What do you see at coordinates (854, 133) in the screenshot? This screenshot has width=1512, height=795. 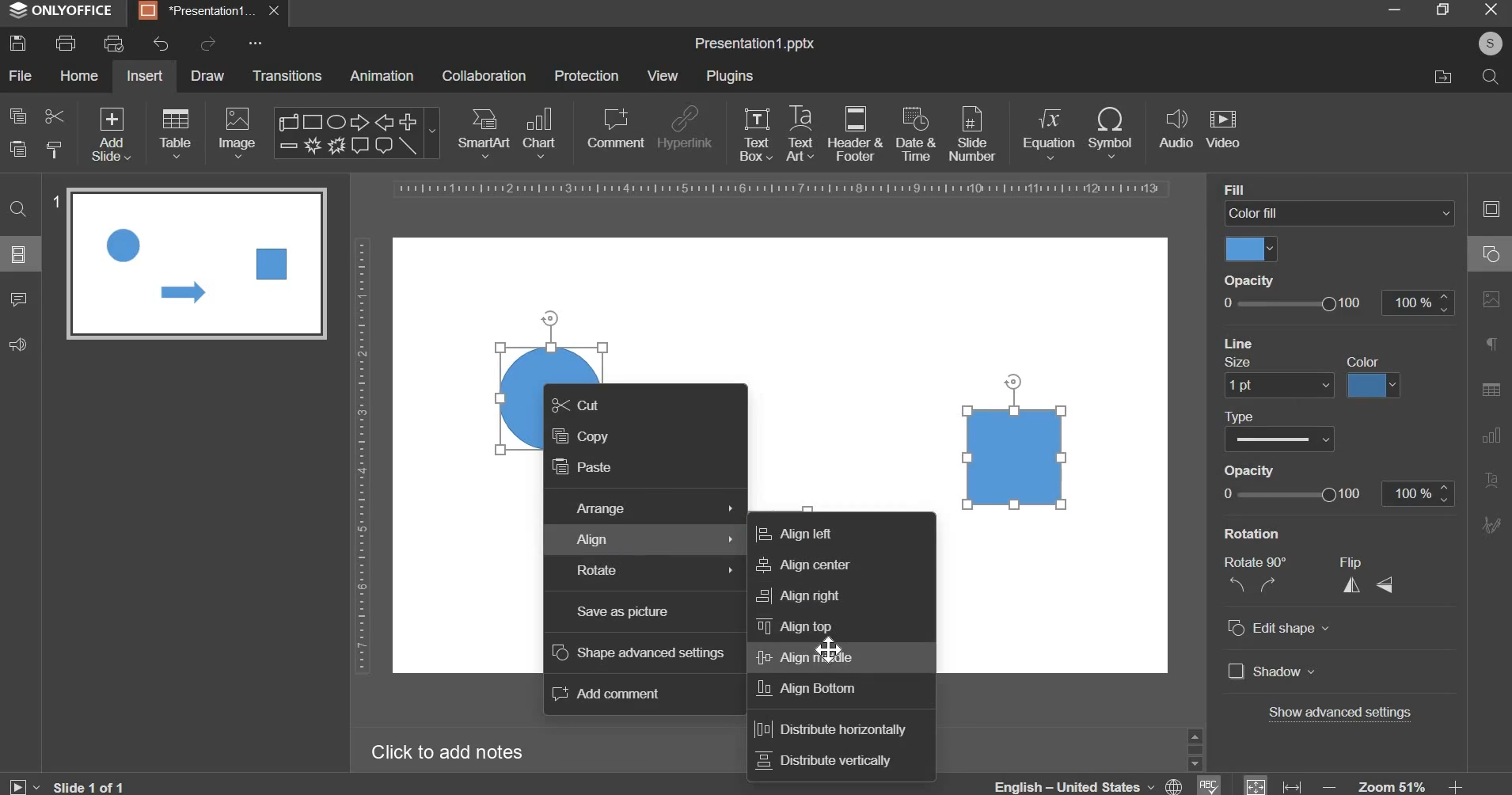 I see `header & footer` at bounding box center [854, 133].